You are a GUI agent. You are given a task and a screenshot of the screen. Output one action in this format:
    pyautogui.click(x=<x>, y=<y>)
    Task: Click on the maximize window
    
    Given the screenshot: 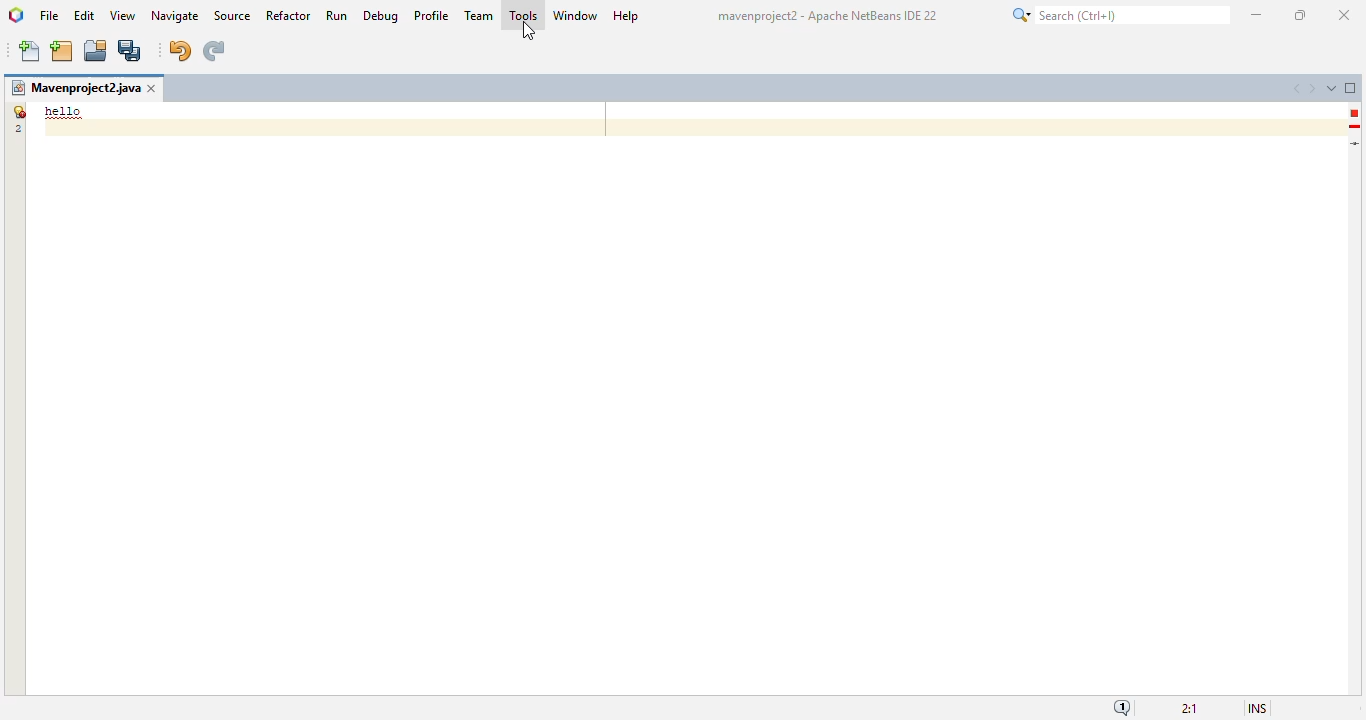 What is the action you would take?
    pyautogui.click(x=1351, y=87)
    